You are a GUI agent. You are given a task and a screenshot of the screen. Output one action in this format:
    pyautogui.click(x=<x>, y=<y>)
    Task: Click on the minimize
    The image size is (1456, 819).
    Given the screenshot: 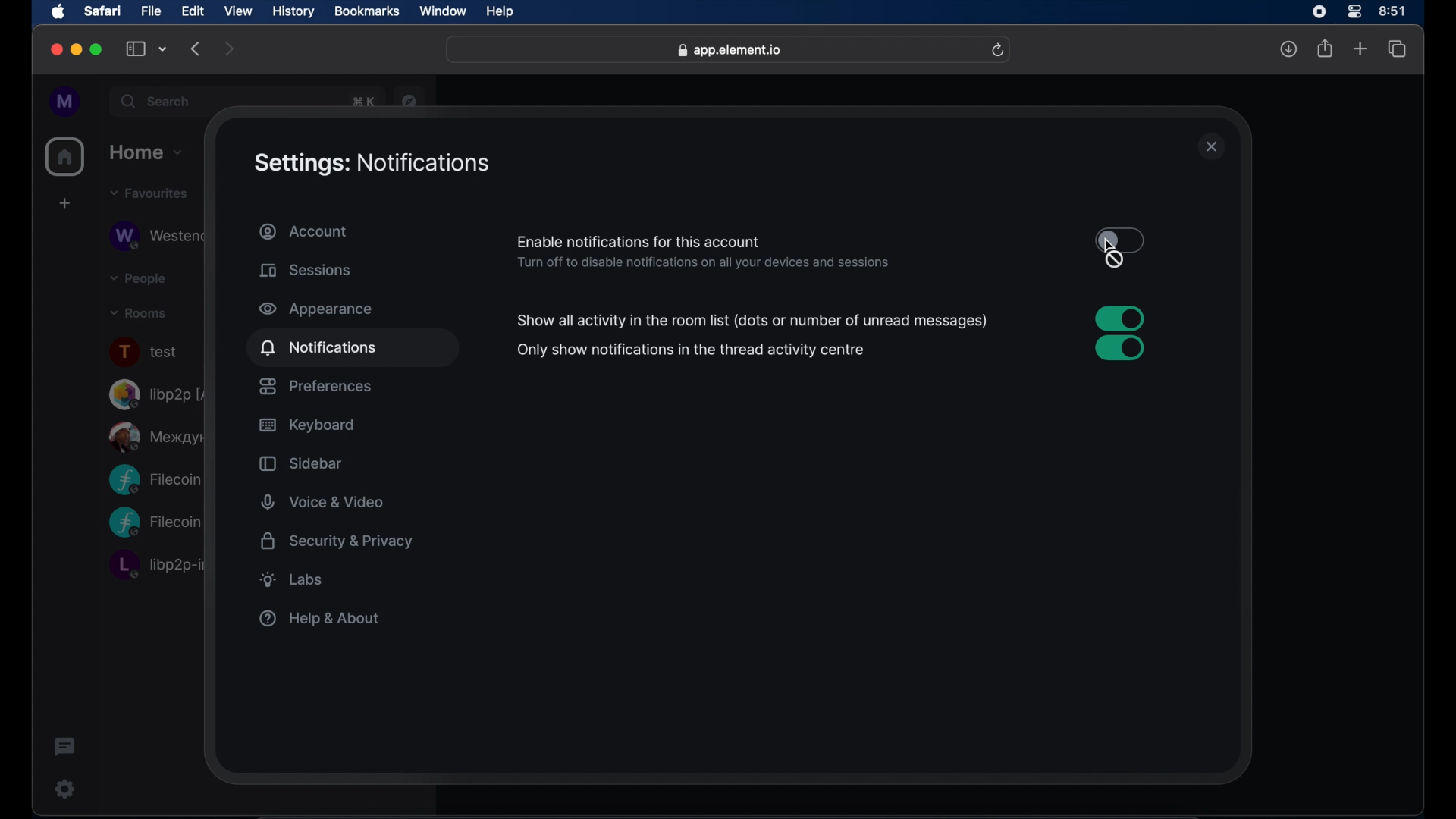 What is the action you would take?
    pyautogui.click(x=77, y=49)
    